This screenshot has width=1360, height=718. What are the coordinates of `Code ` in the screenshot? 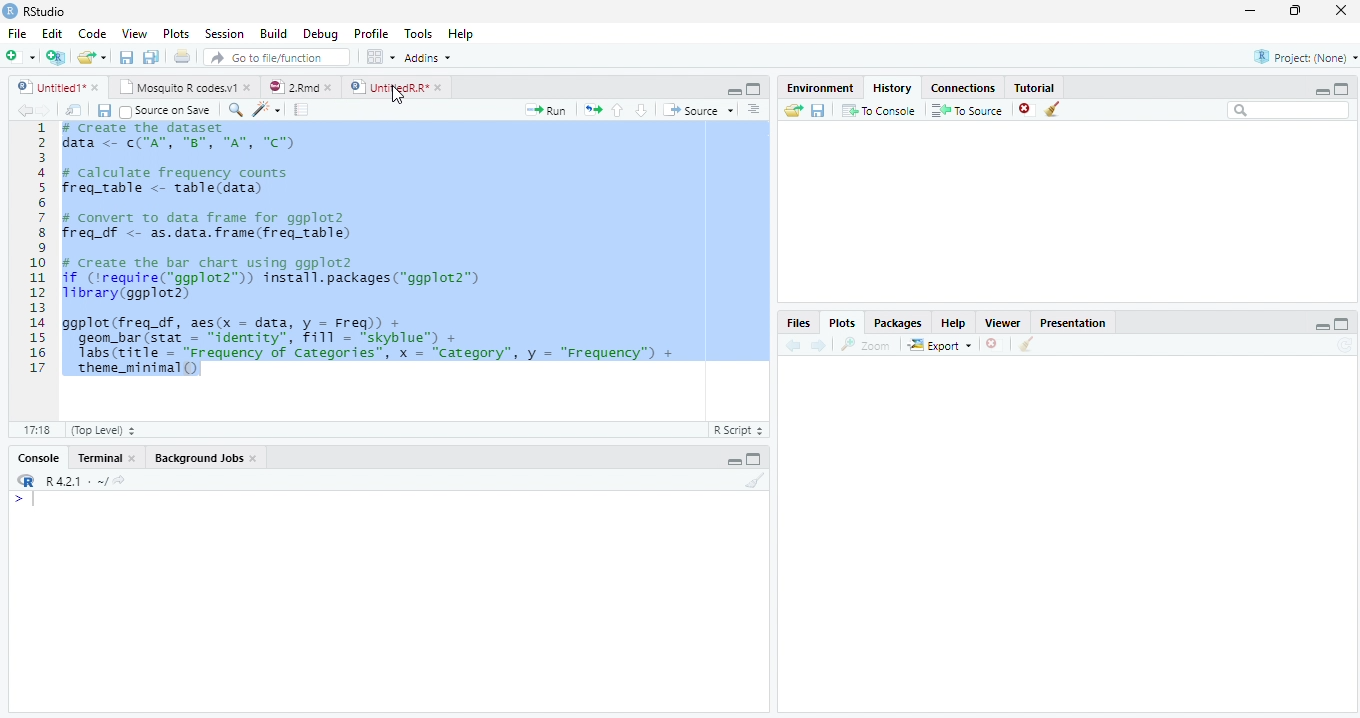 It's located at (269, 110).